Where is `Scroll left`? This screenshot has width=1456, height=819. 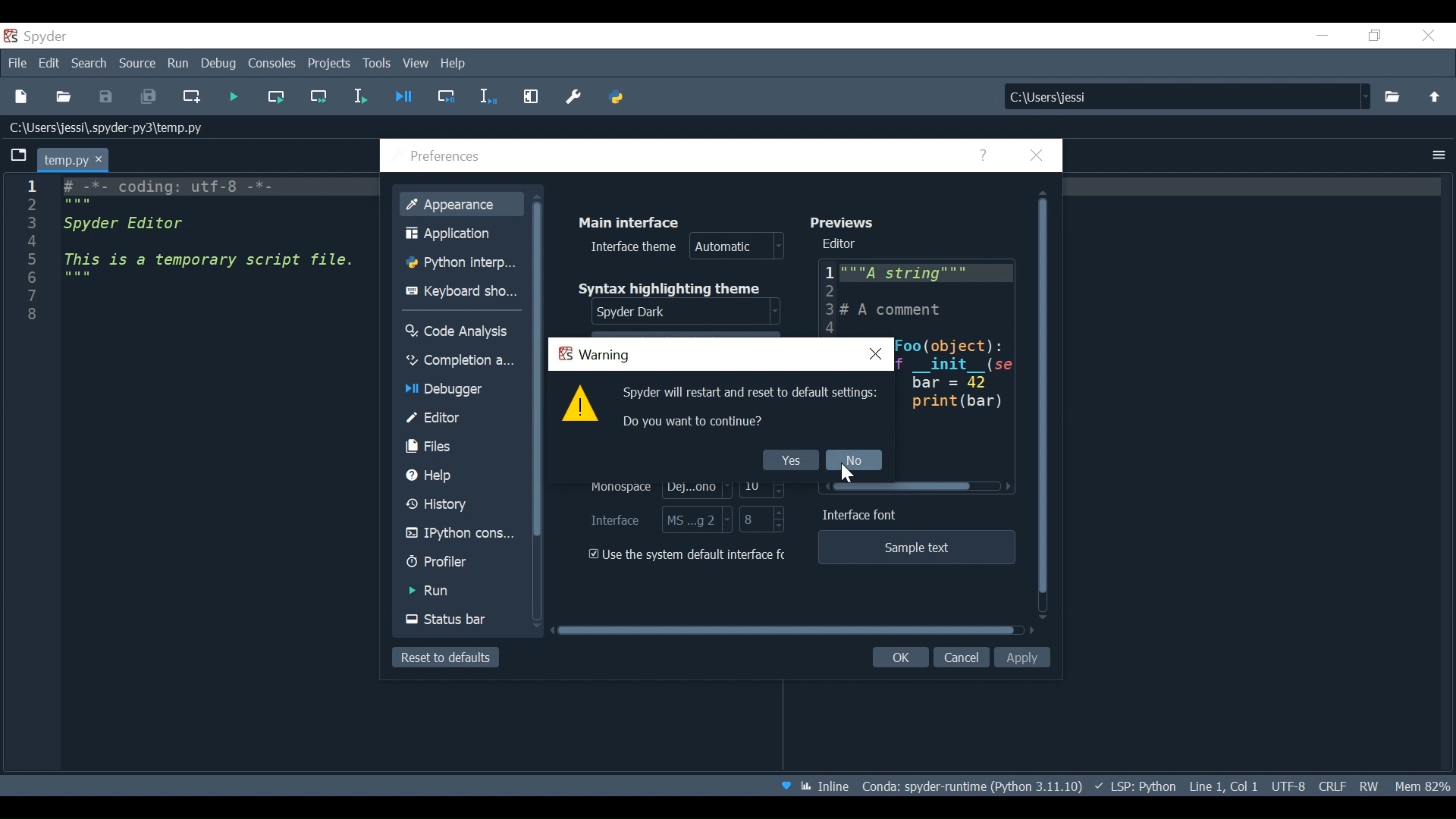
Scroll left is located at coordinates (1009, 488).